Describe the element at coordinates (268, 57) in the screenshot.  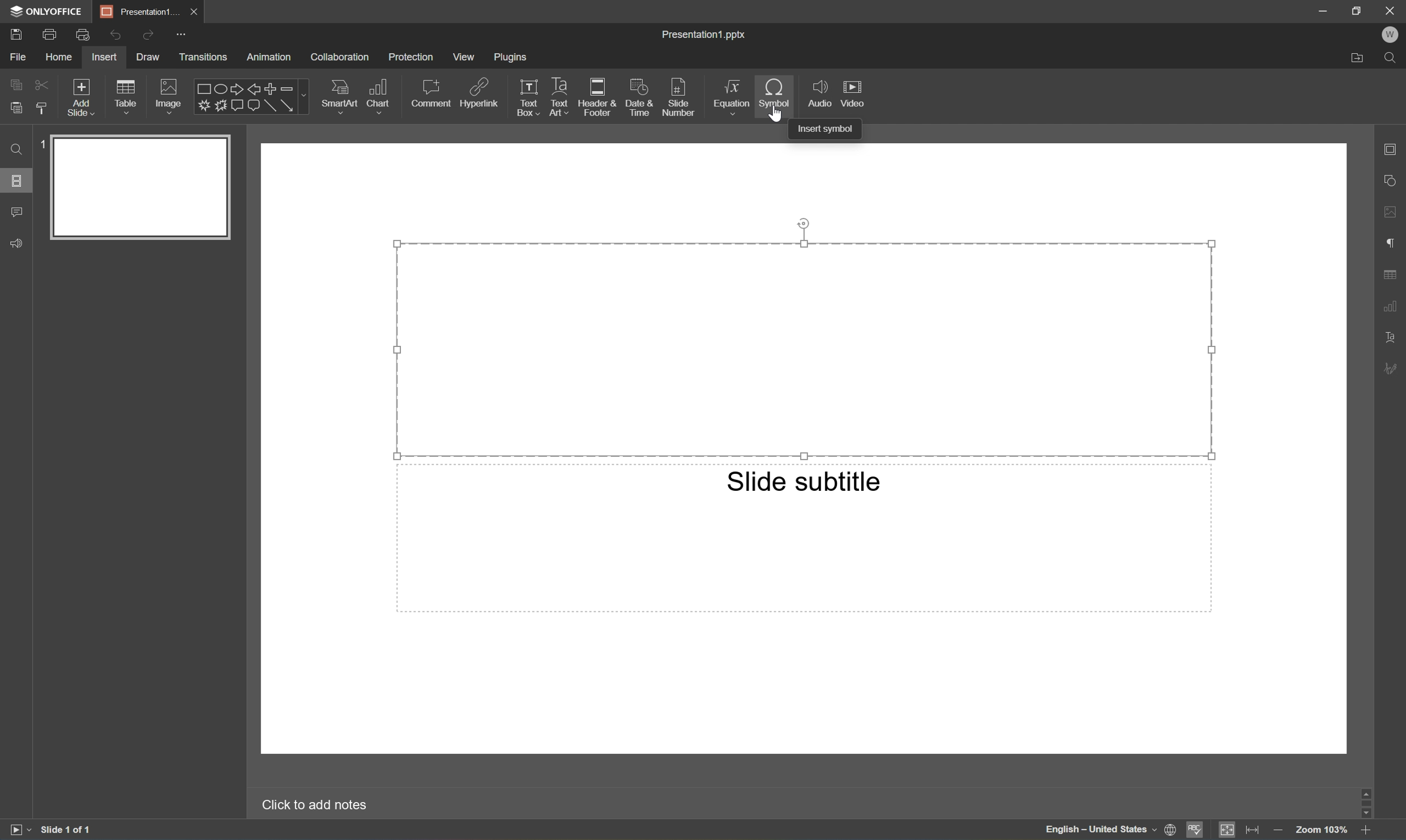
I see `Animation` at that location.